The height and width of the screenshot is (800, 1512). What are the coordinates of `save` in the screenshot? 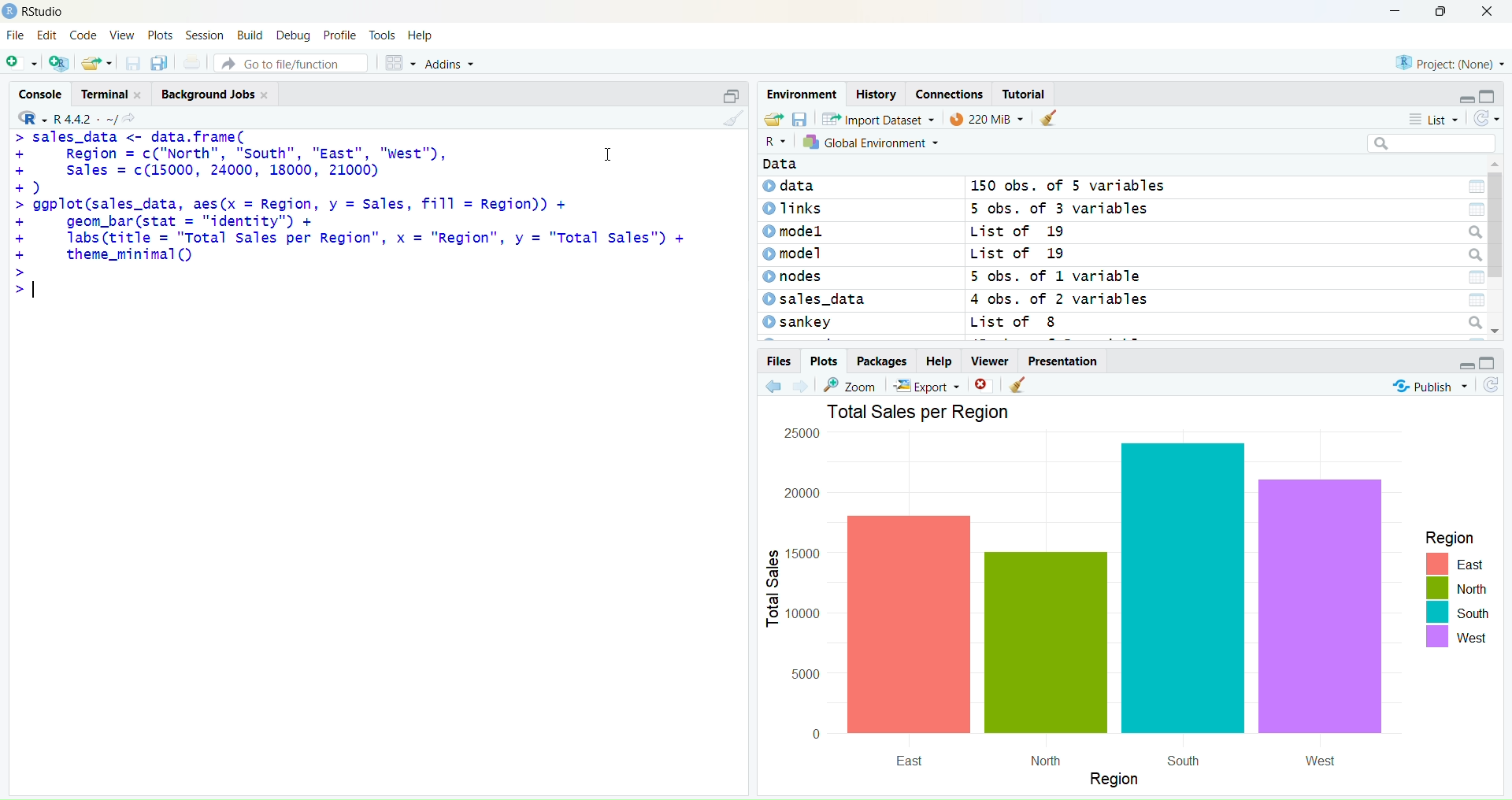 It's located at (132, 67).